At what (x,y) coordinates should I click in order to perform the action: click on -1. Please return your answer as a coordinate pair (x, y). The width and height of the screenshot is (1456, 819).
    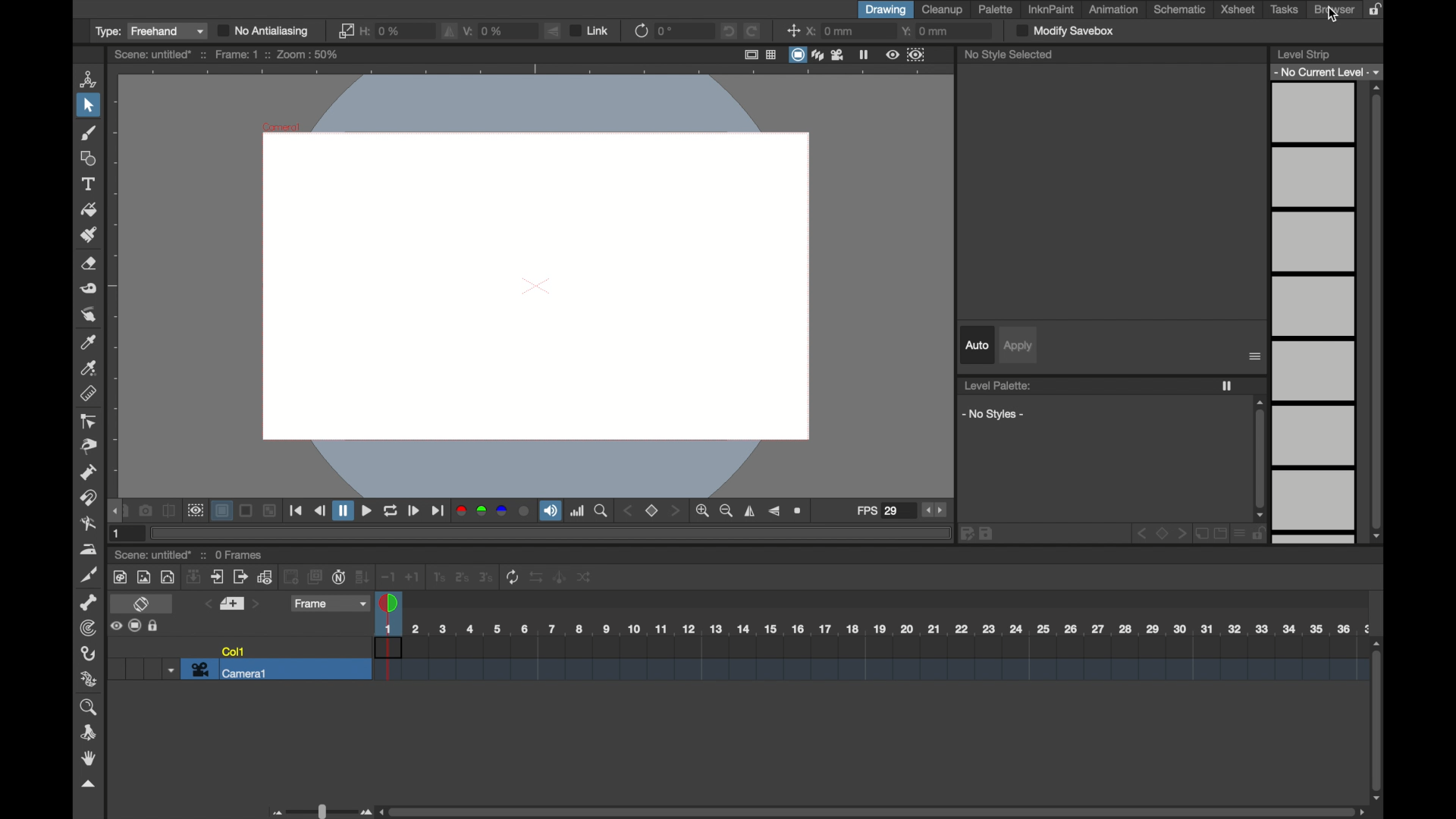
    Looking at the image, I should click on (388, 575).